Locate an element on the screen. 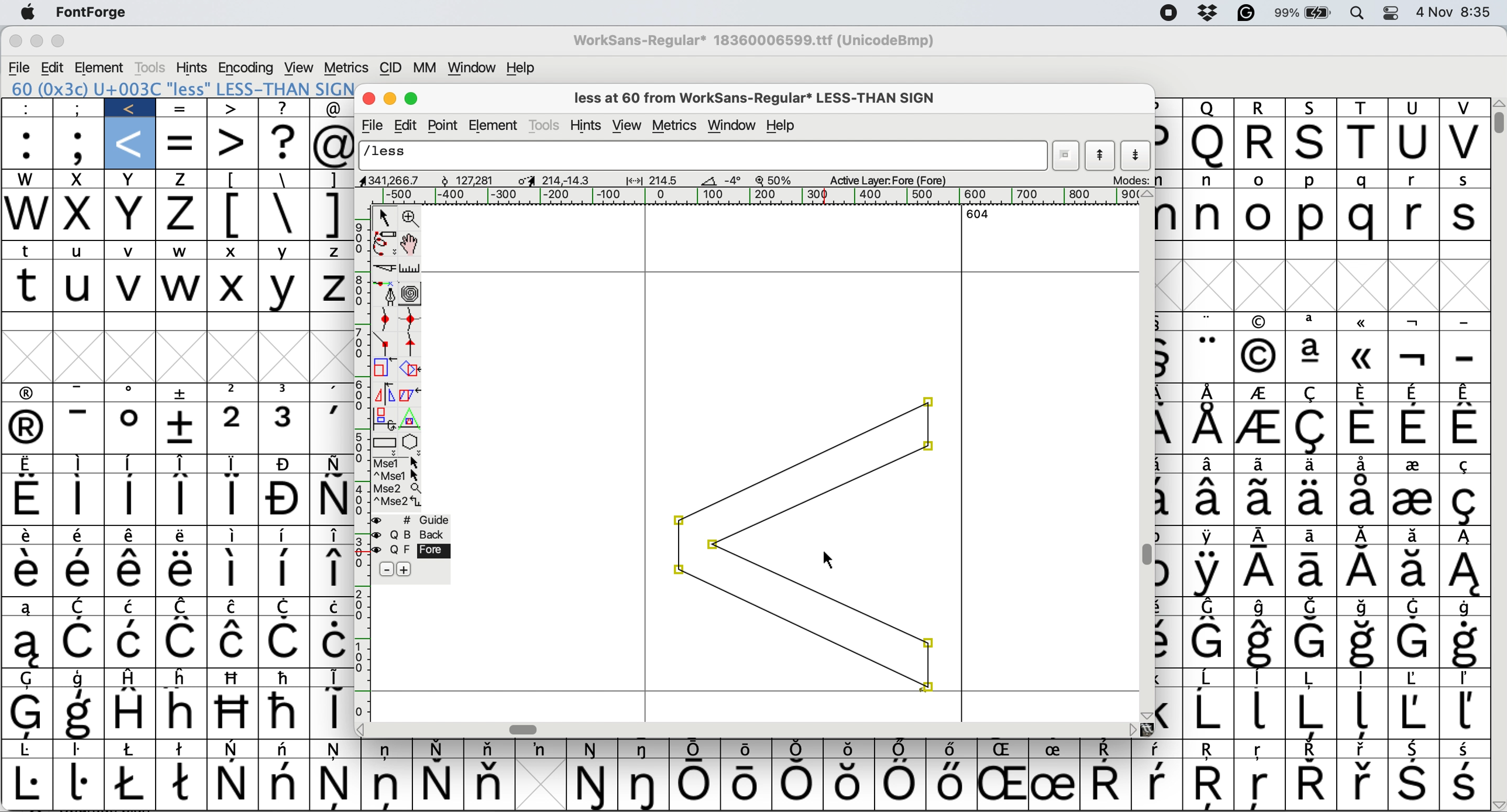 This screenshot has width=1507, height=812. Symbol is located at coordinates (1414, 322).